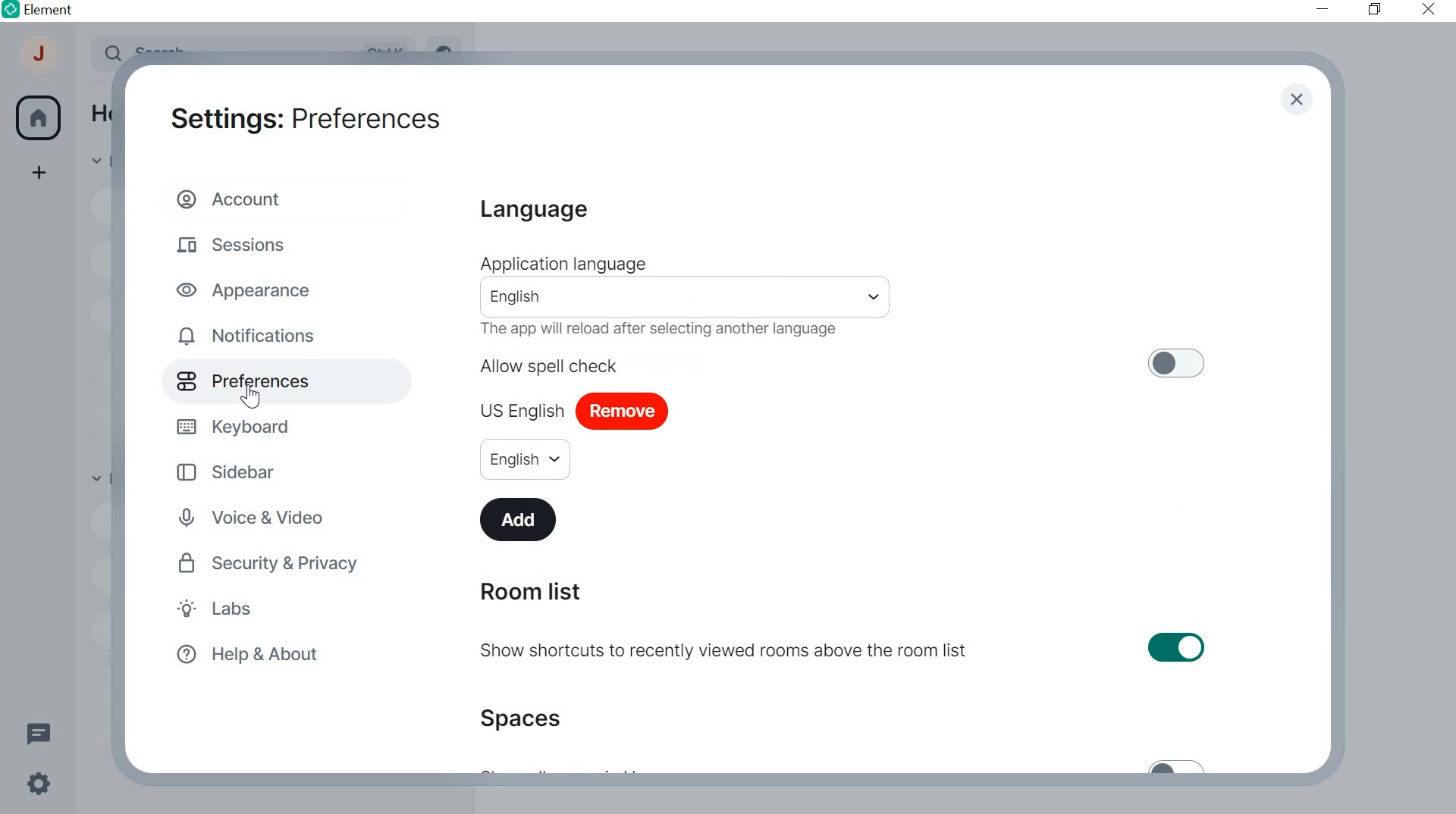  What do you see at coordinates (521, 518) in the screenshot?
I see `Add` at bounding box center [521, 518].